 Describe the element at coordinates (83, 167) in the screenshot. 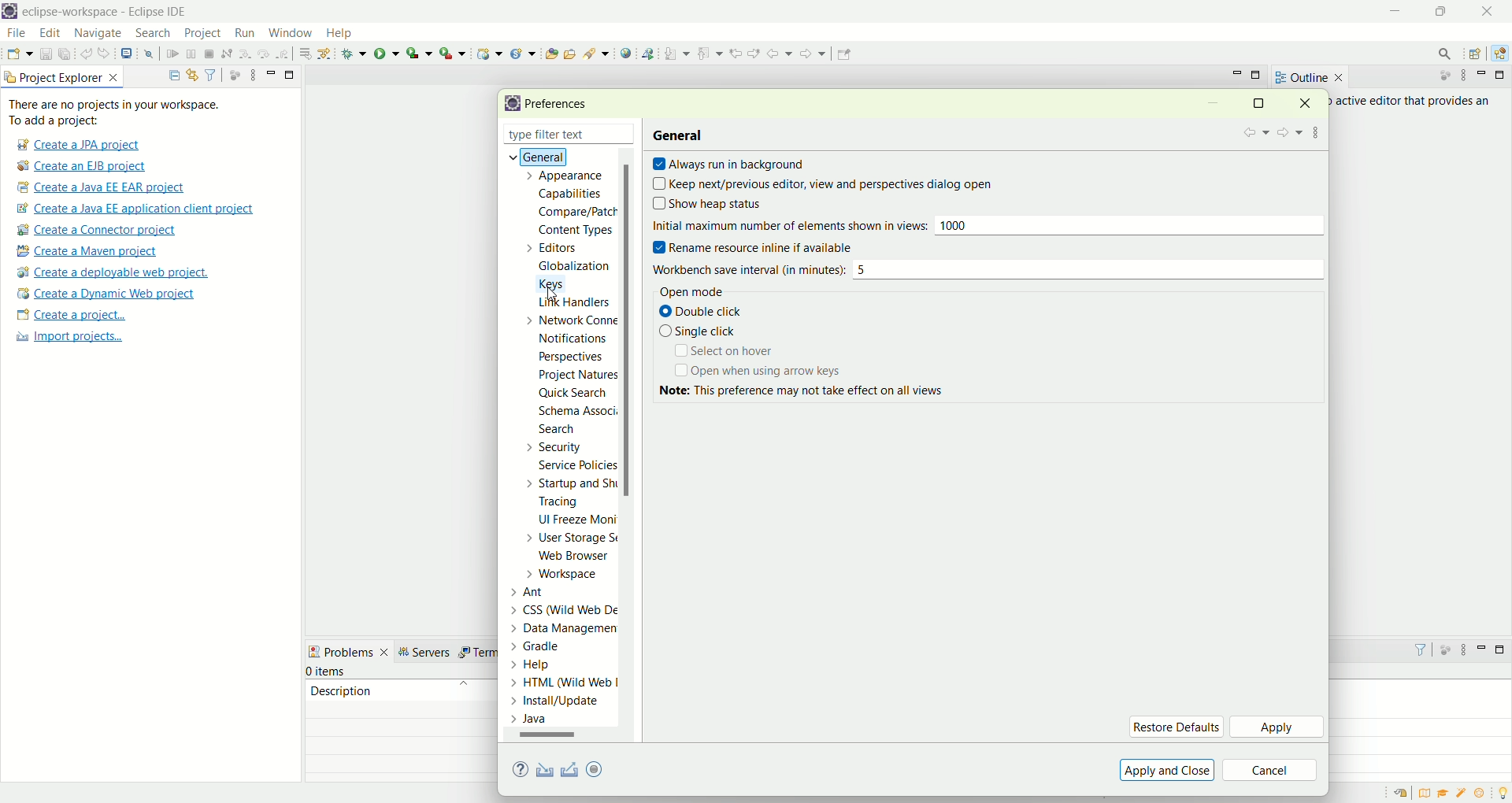

I see `create a EJB project` at that location.